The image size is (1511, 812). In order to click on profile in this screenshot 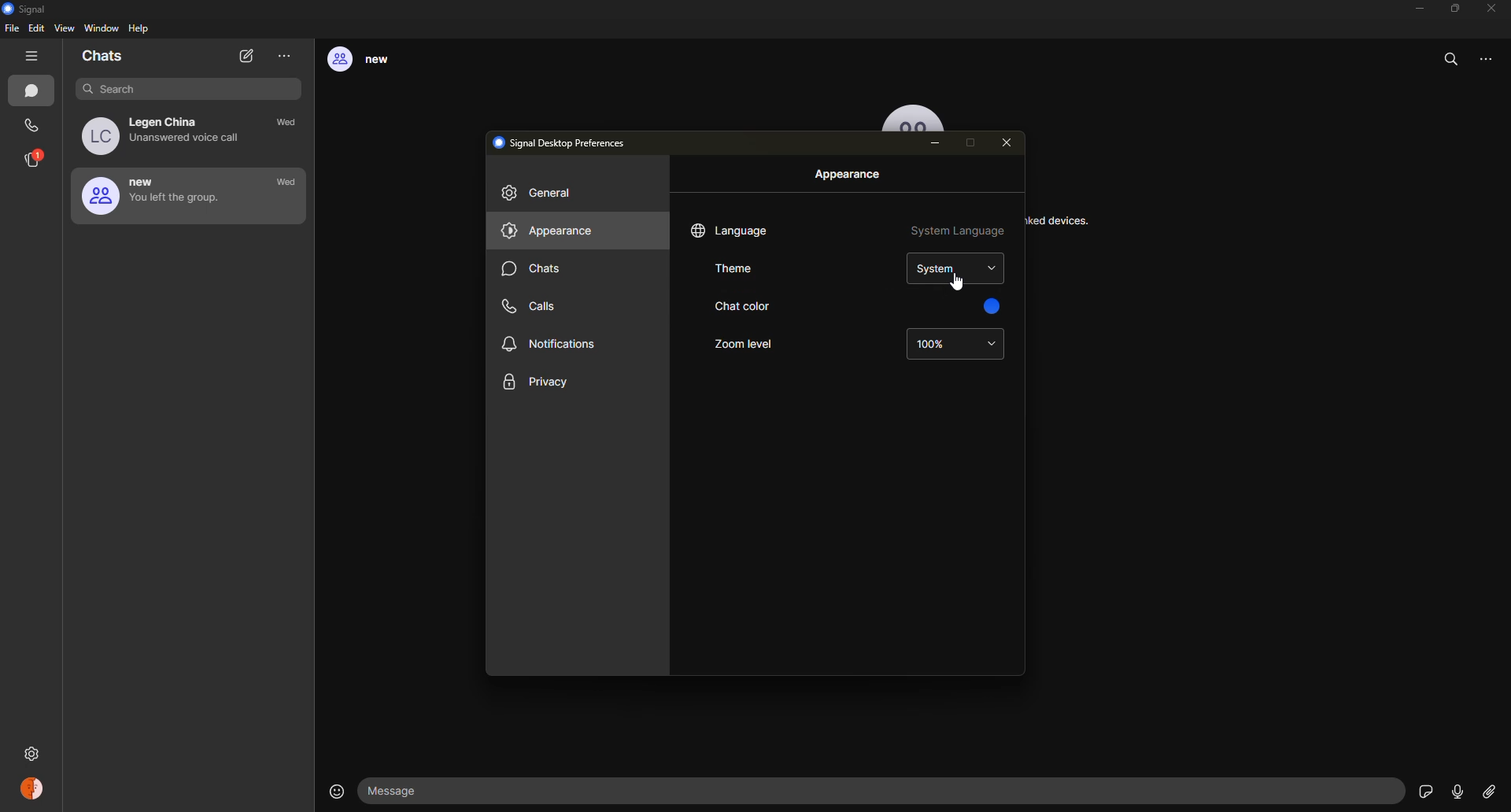, I will do `click(34, 791)`.